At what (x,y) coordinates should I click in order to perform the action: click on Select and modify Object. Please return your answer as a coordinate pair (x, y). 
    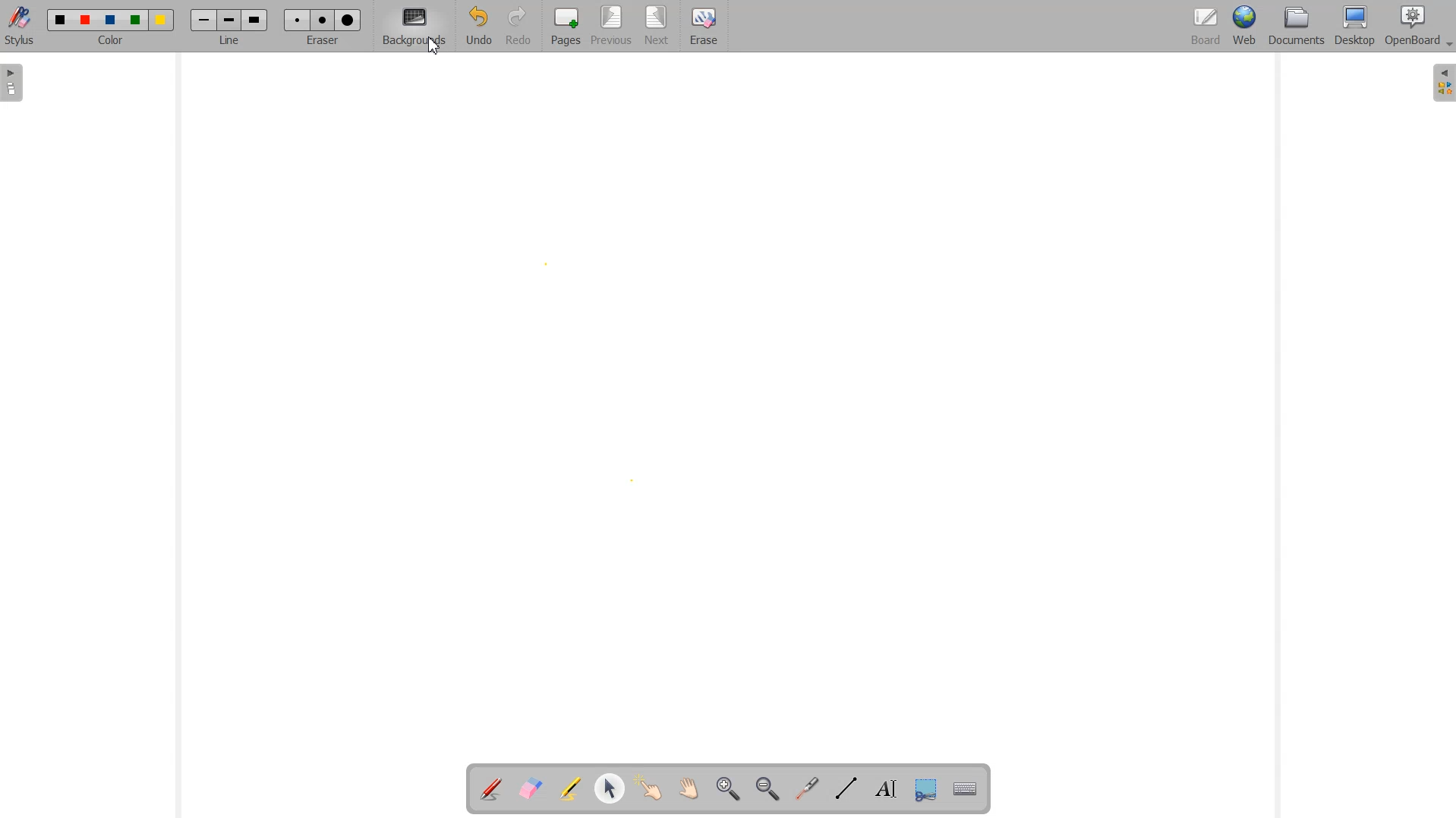
    Looking at the image, I should click on (610, 788).